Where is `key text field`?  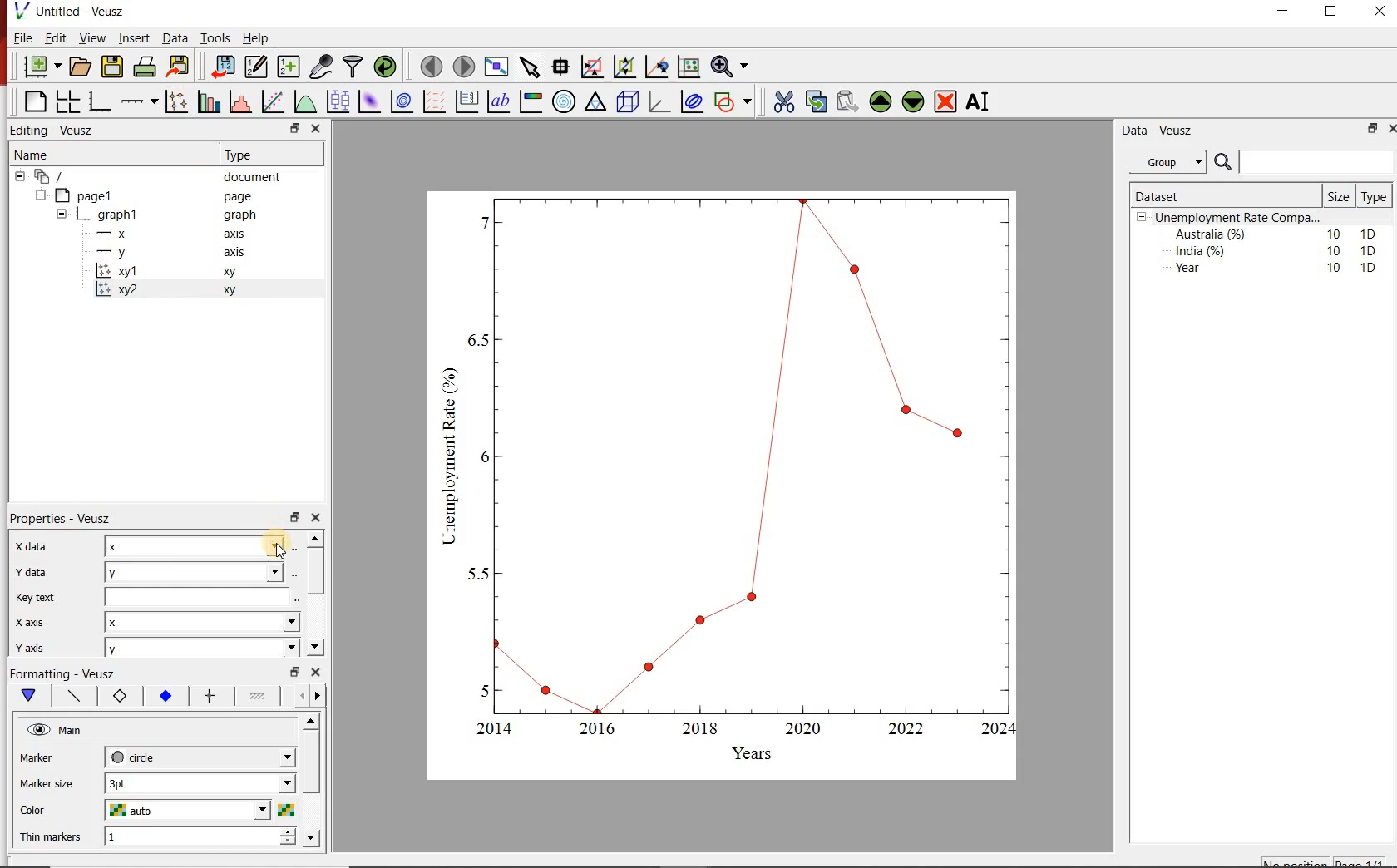
key text field is located at coordinates (200, 596).